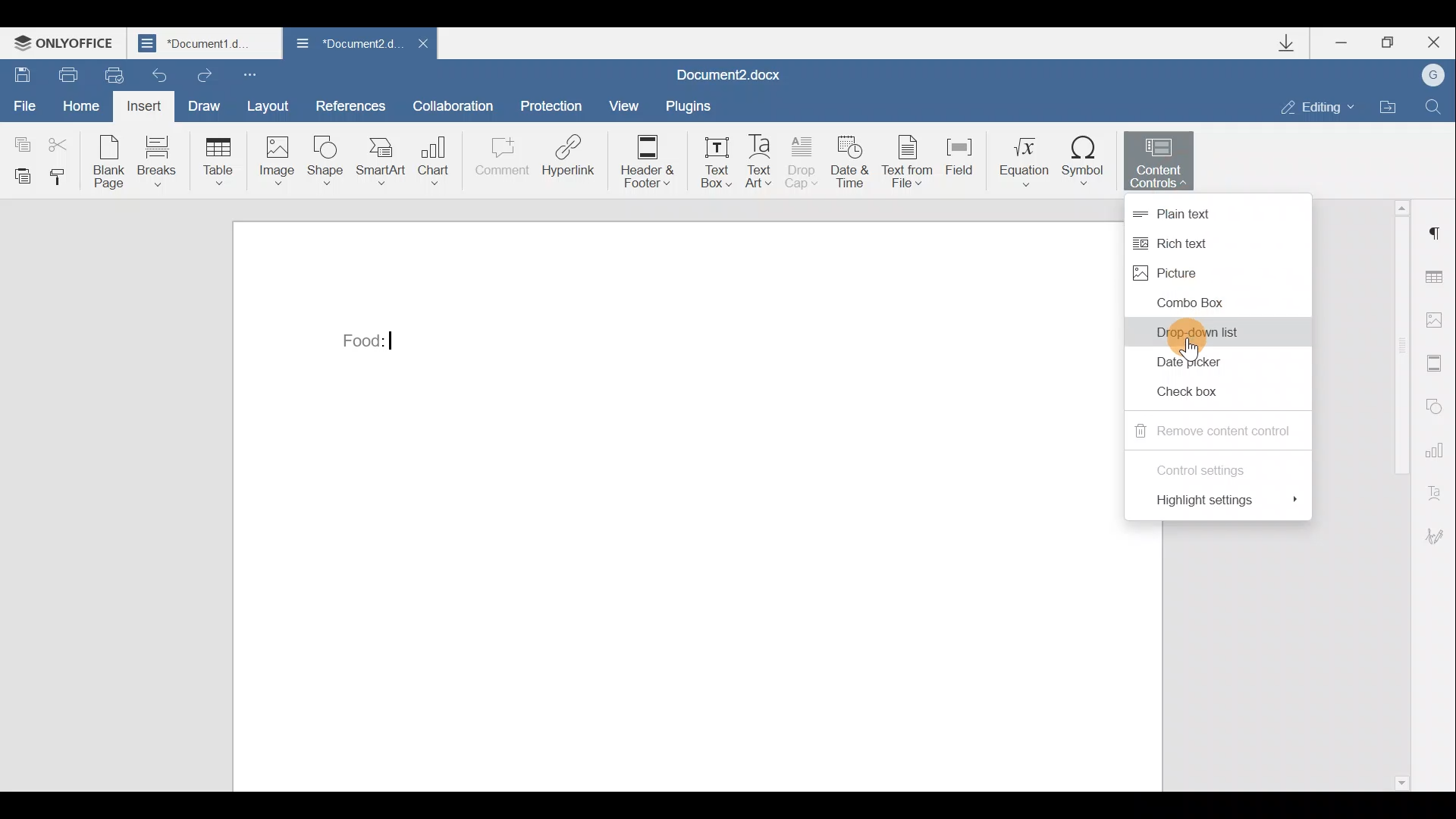 The image size is (1456, 819). What do you see at coordinates (711, 165) in the screenshot?
I see `Text box` at bounding box center [711, 165].